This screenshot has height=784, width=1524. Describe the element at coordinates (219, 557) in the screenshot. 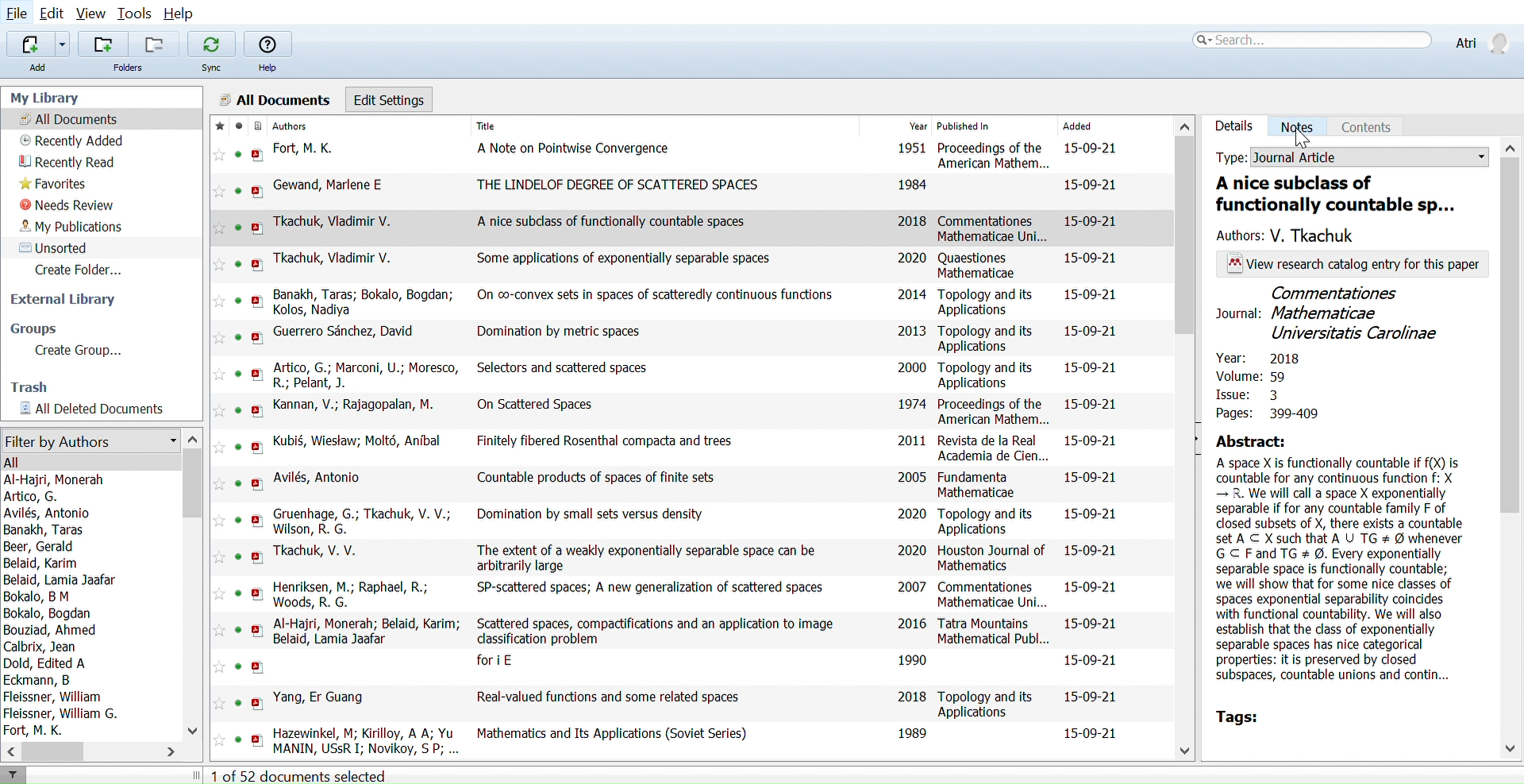

I see `Add this reference to favorites` at that location.